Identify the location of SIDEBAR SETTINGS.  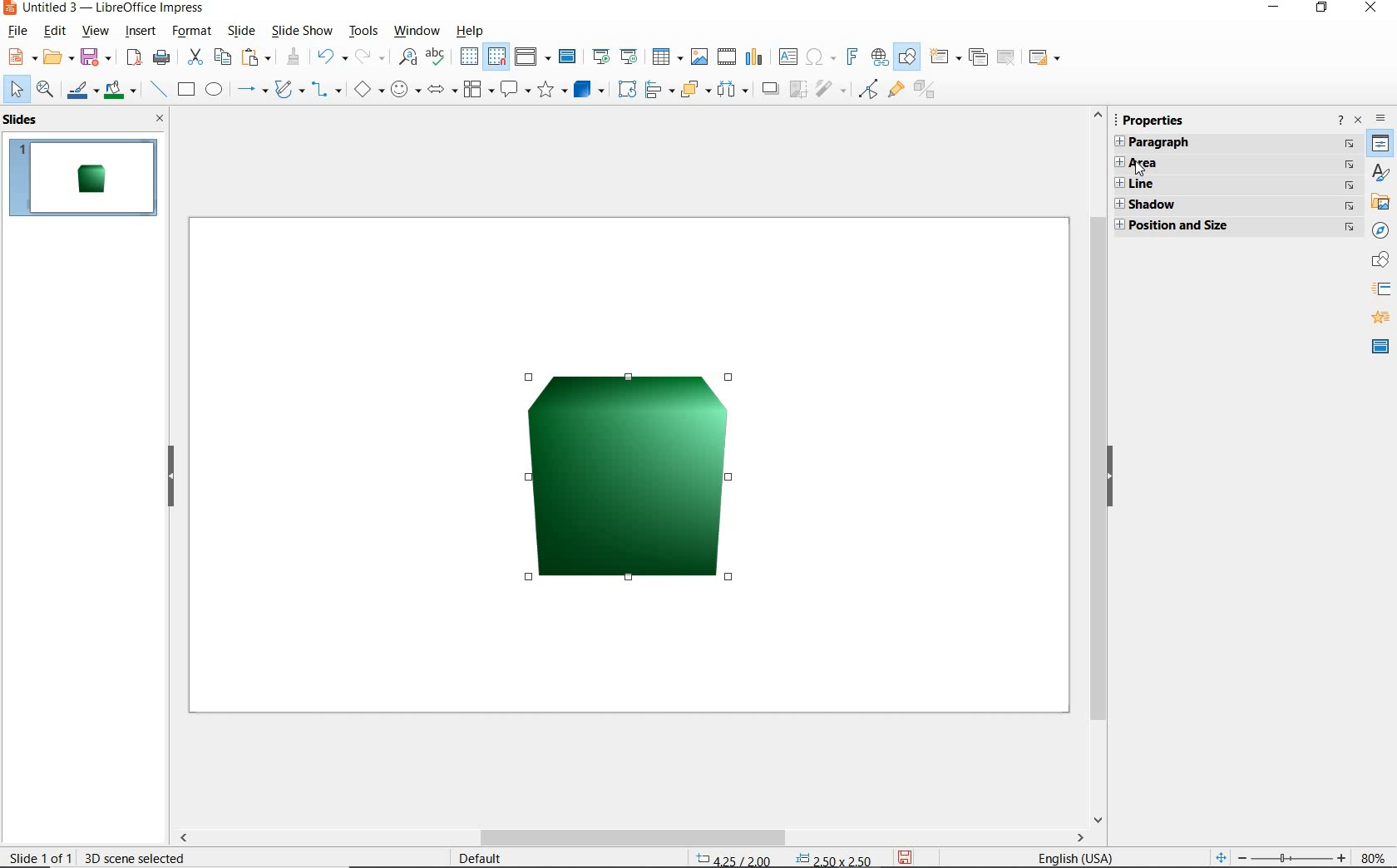
(1380, 118).